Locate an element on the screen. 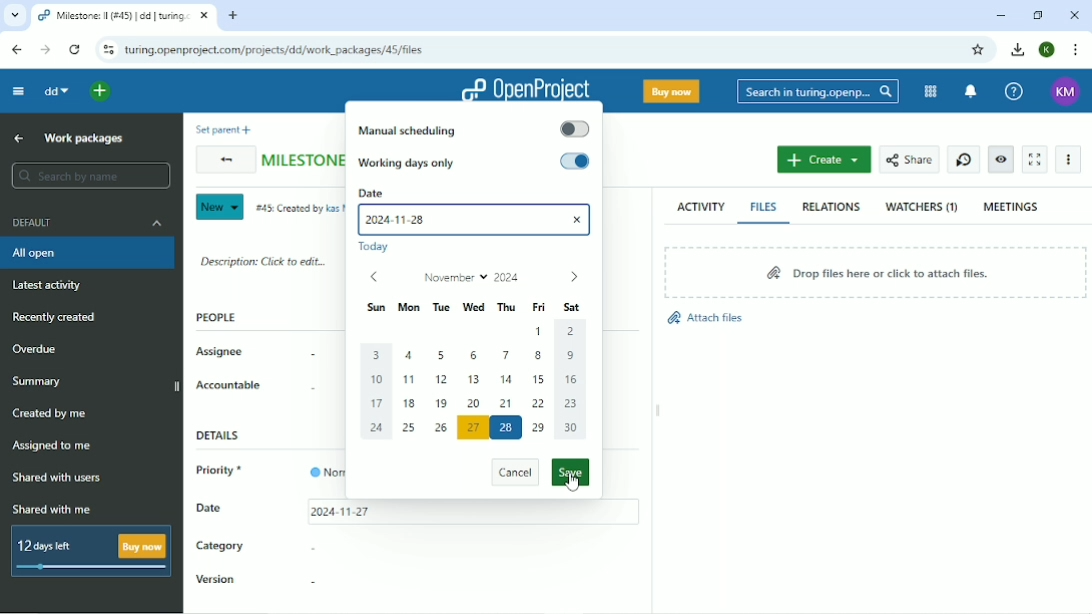  Site is located at coordinates (283, 50).